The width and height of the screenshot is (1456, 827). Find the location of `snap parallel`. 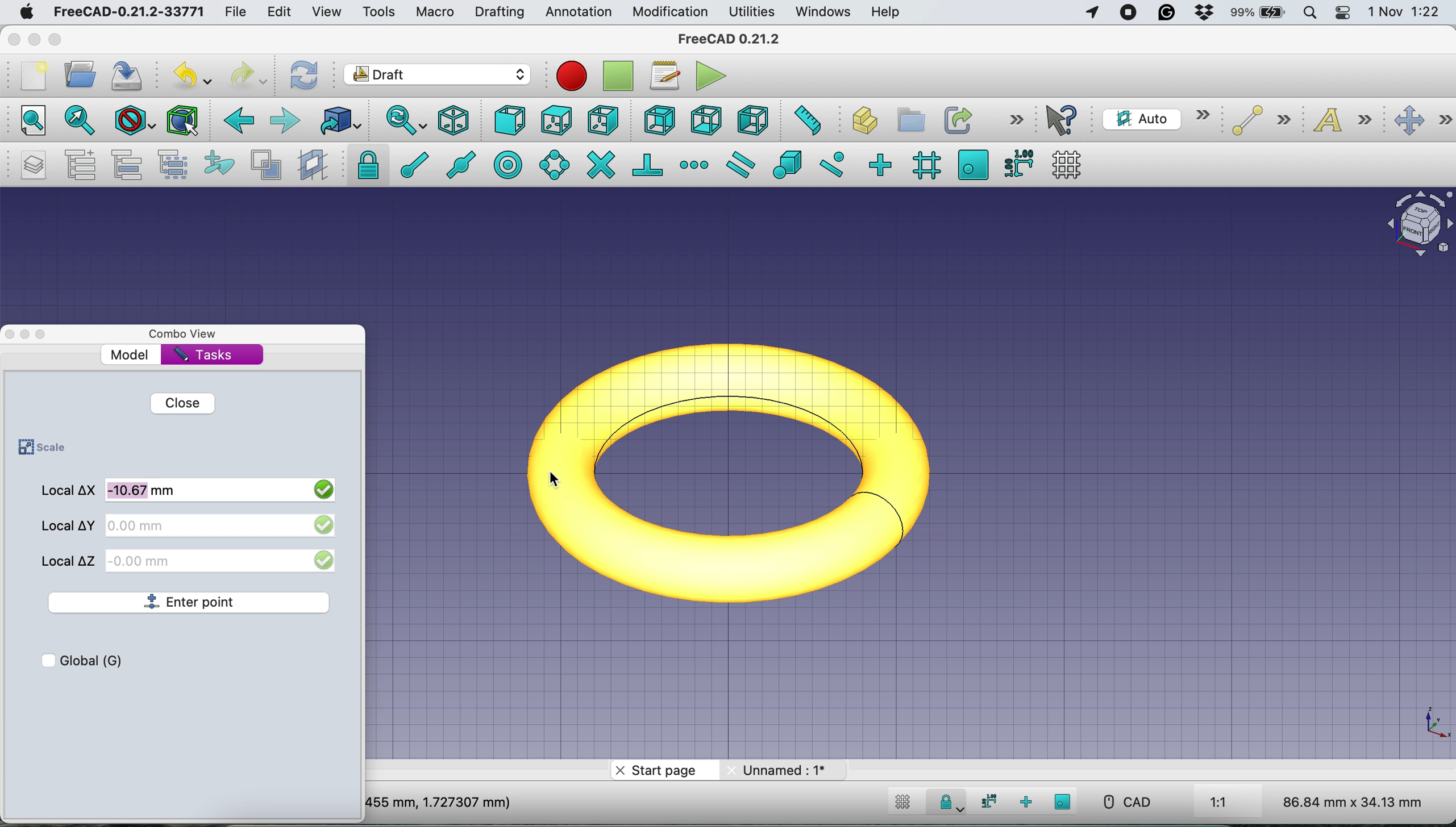

snap parallel is located at coordinates (744, 164).